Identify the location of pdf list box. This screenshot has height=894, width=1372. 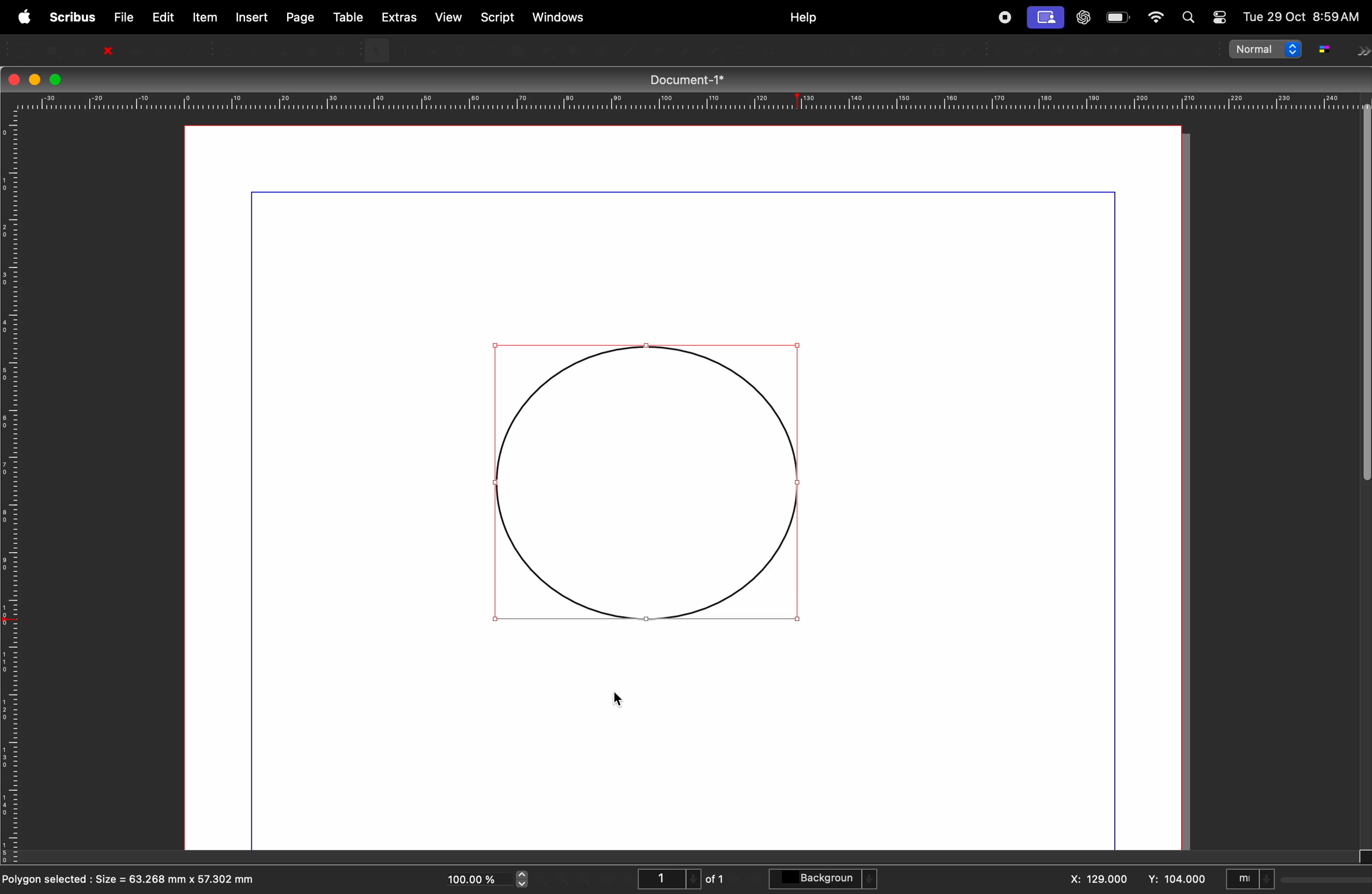
(1143, 50).